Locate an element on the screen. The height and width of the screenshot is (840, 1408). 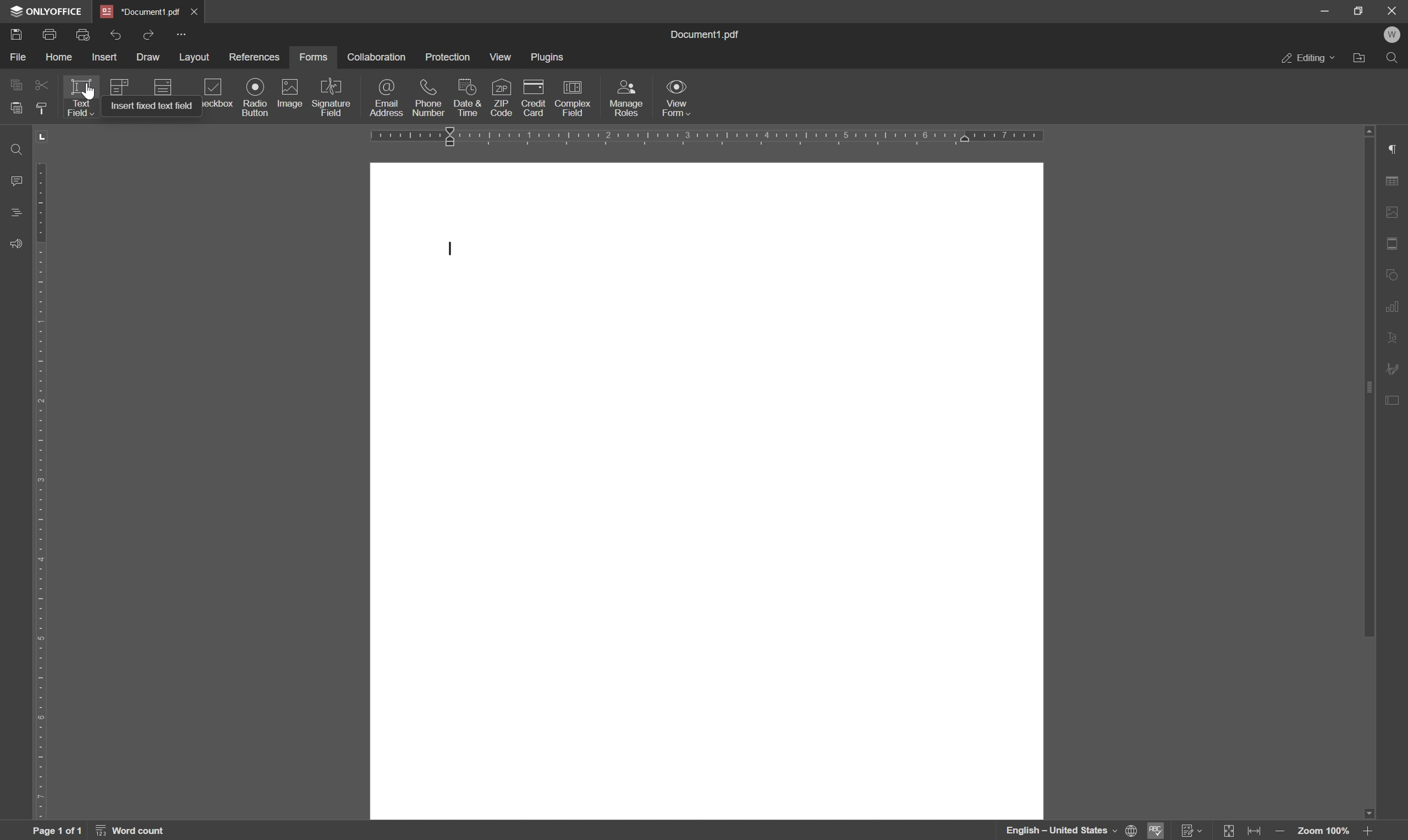
scroll bar is located at coordinates (1366, 388).